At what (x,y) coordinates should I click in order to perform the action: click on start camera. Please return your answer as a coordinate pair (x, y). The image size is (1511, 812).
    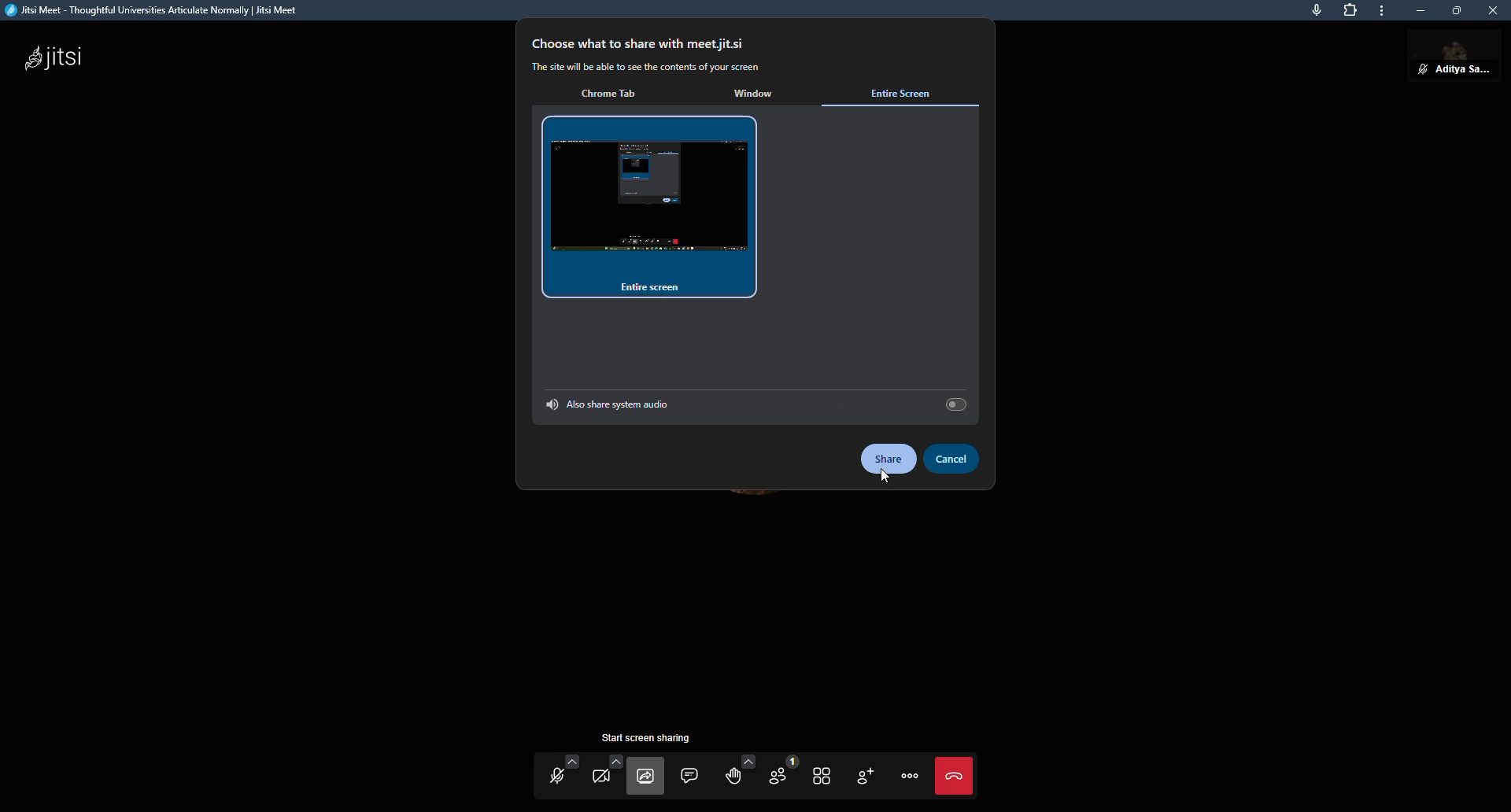
    Looking at the image, I should click on (605, 781).